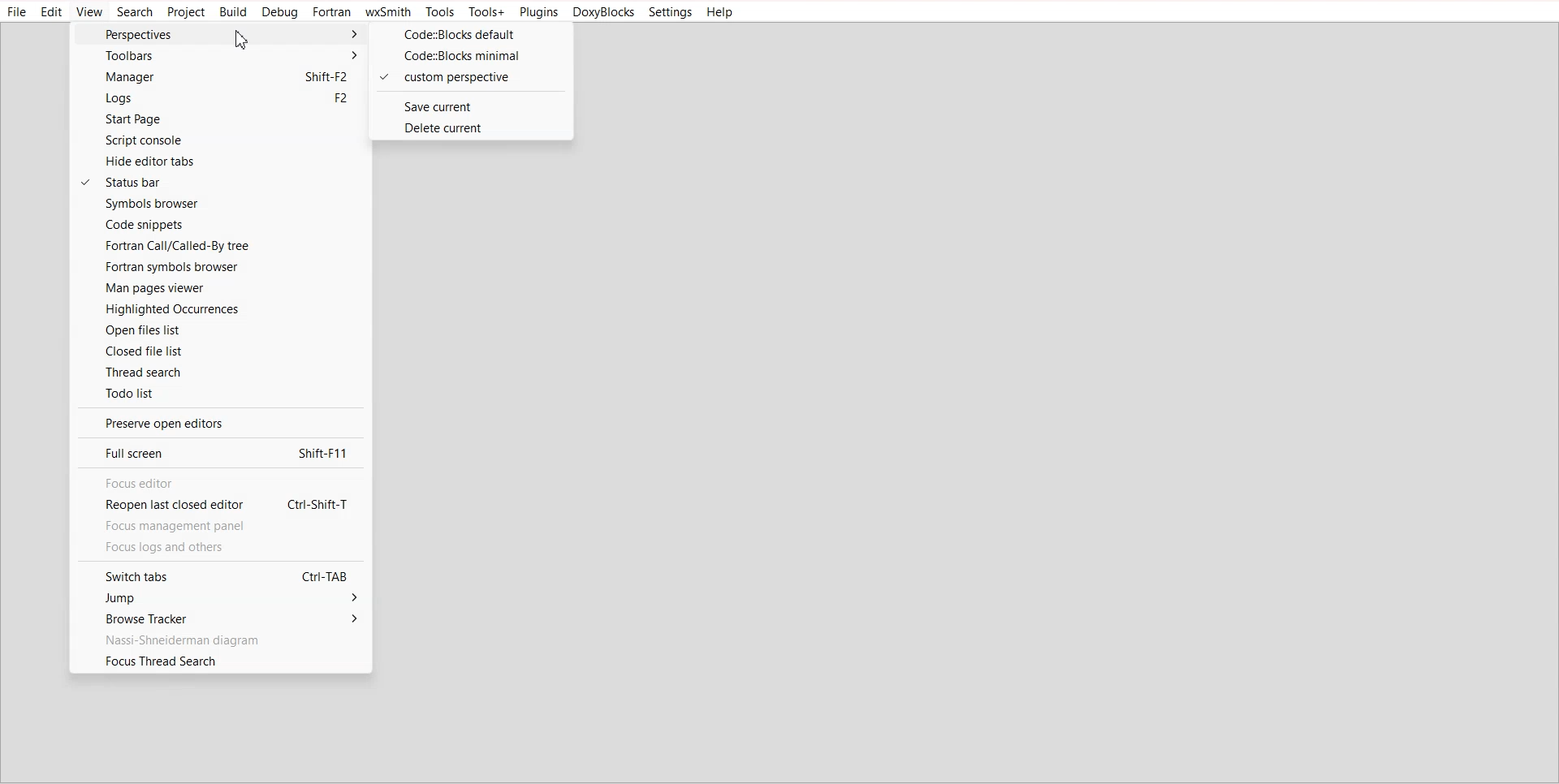 Image resolution: width=1559 pixels, height=784 pixels. Describe the element at coordinates (182, 548) in the screenshot. I see `focus logs and others` at that location.